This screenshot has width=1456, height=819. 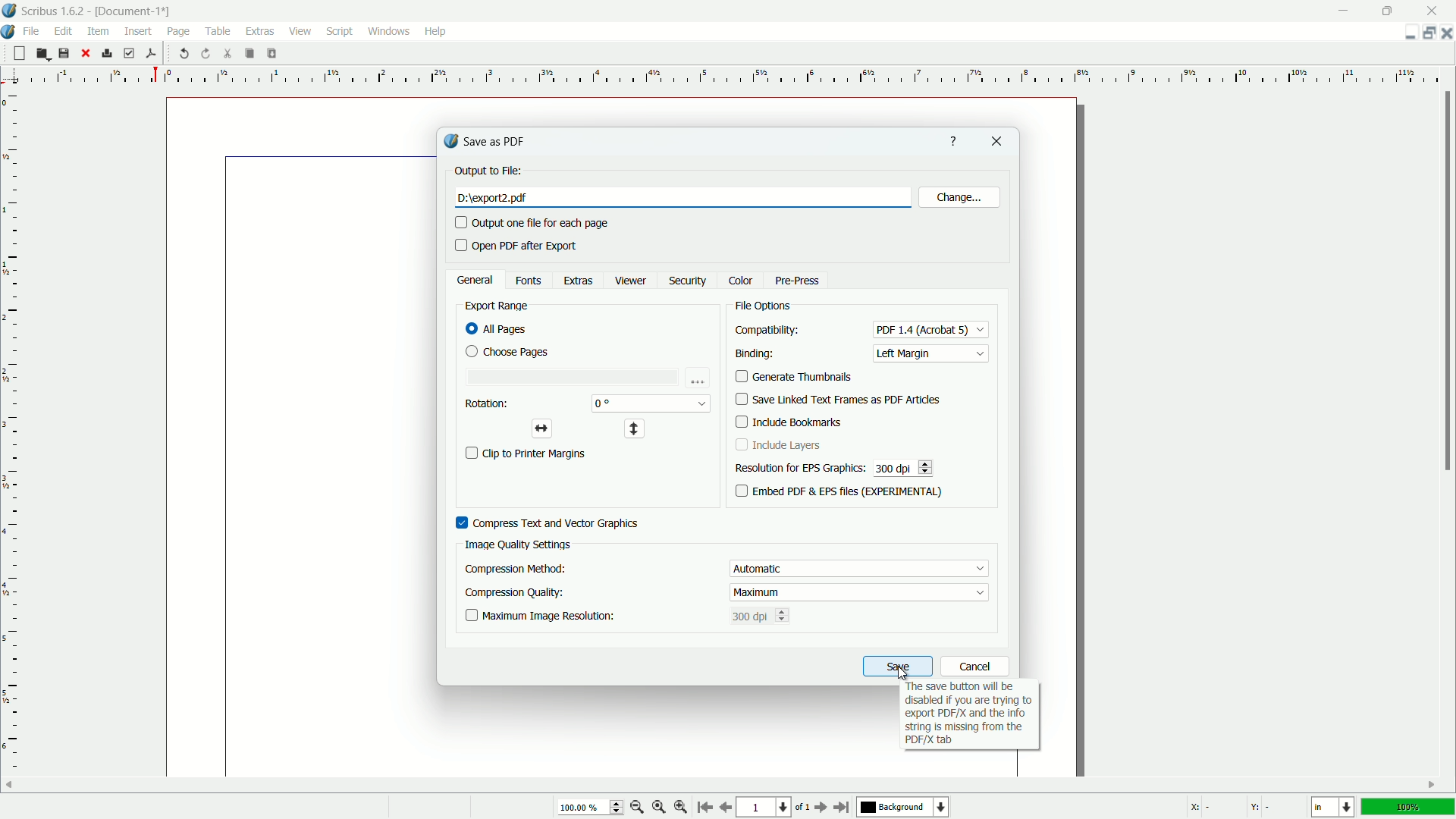 What do you see at coordinates (33, 32) in the screenshot?
I see `file menu` at bounding box center [33, 32].